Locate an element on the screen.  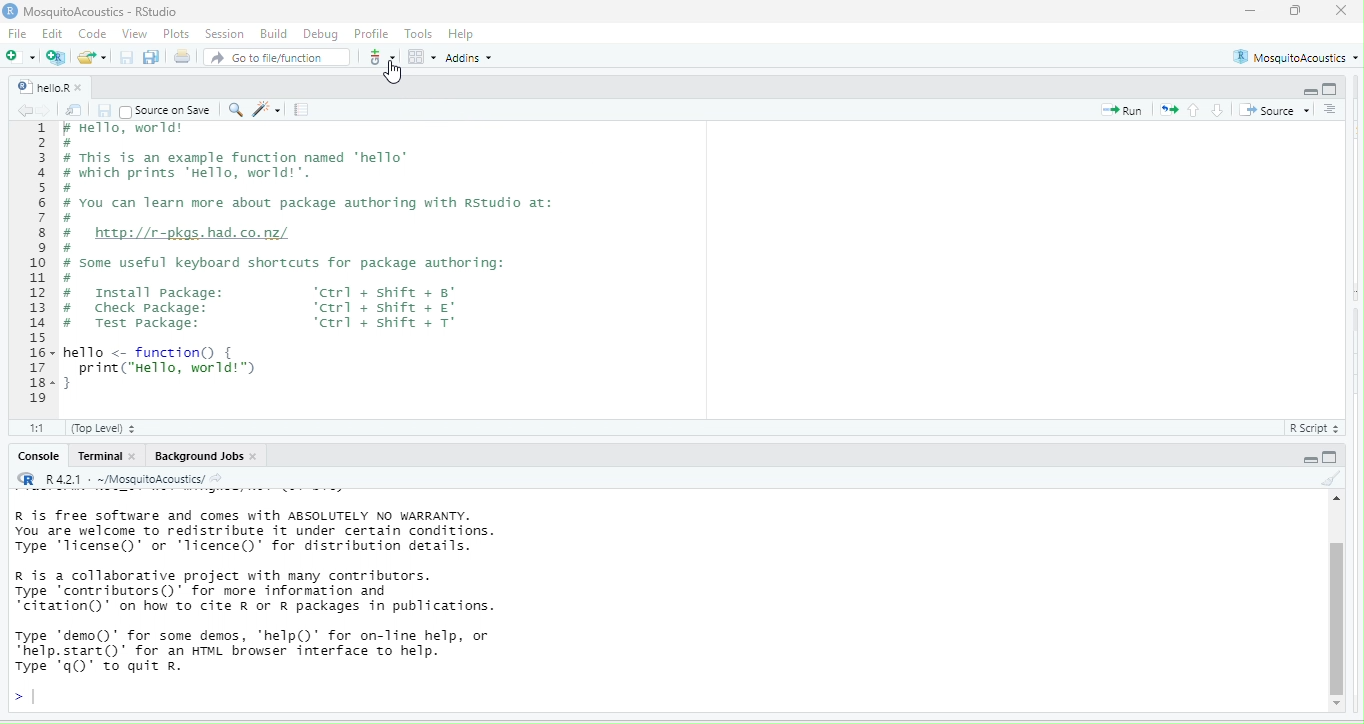
close is located at coordinates (258, 456).